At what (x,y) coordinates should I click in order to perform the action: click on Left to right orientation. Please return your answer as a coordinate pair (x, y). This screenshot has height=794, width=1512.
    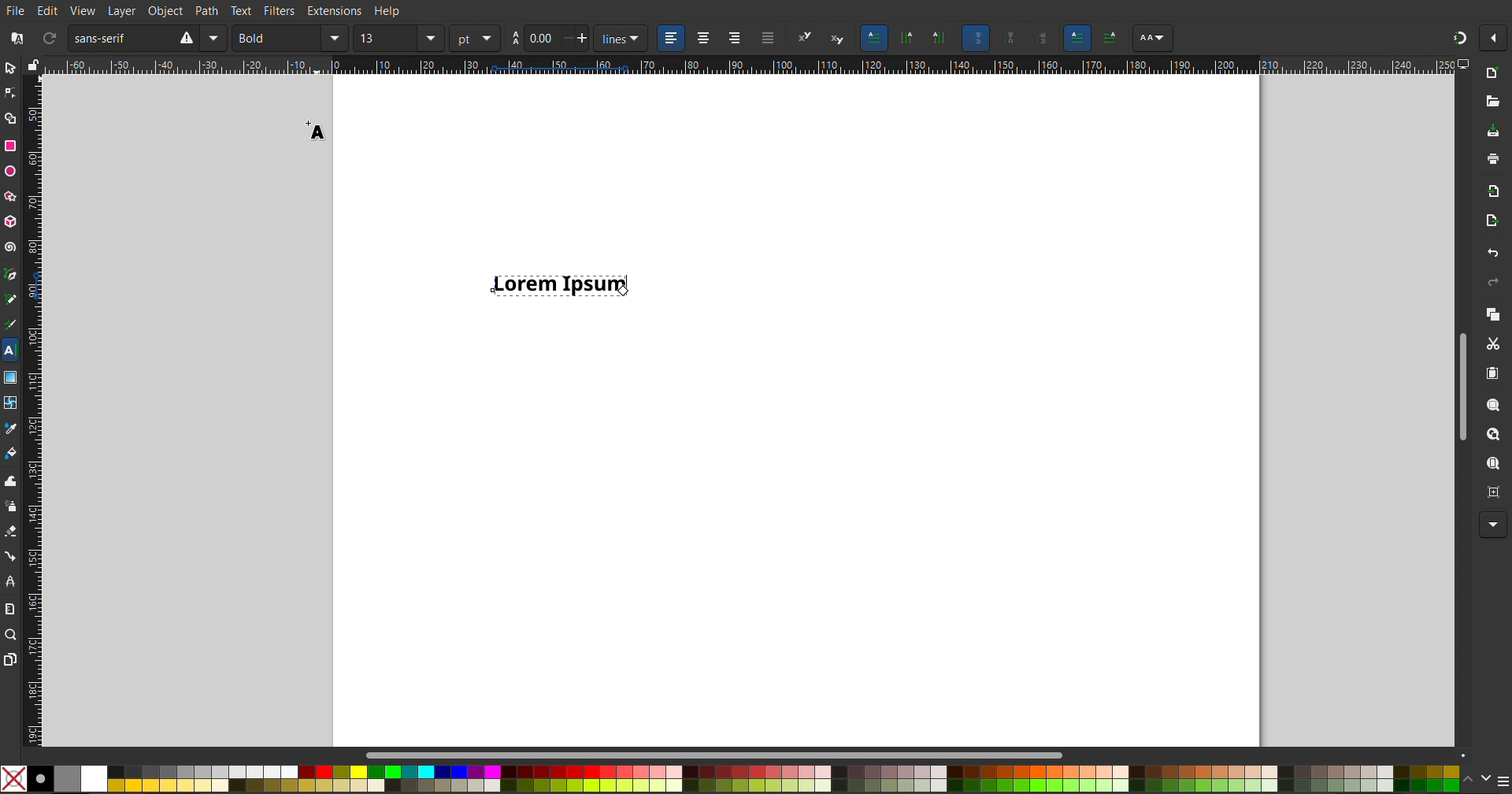
    Looking at the image, I should click on (1078, 37).